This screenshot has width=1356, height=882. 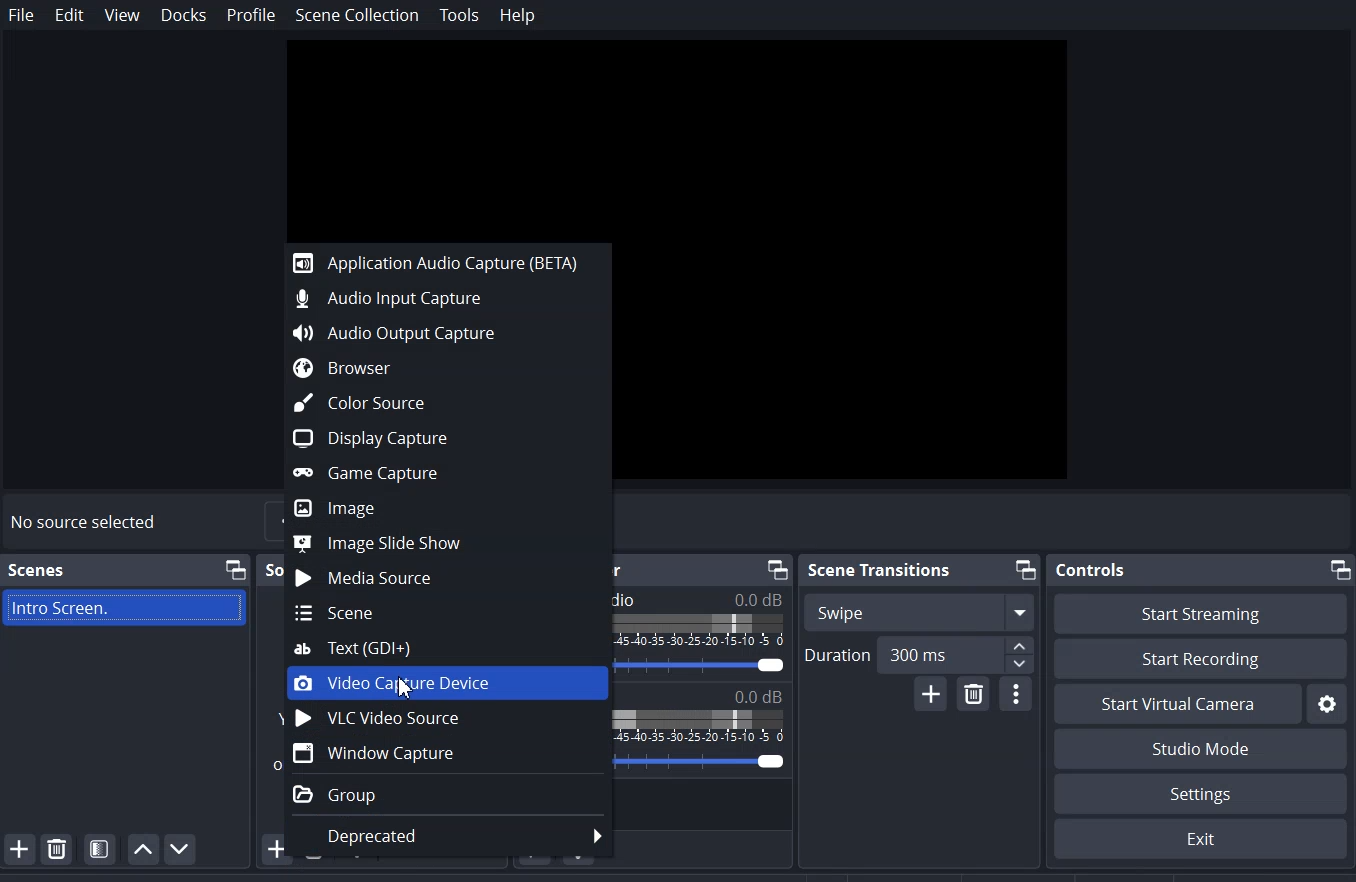 What do you see at coordinates (459, 16) in the screenshot?
I see `Tools` at bounding box center [459, 16].